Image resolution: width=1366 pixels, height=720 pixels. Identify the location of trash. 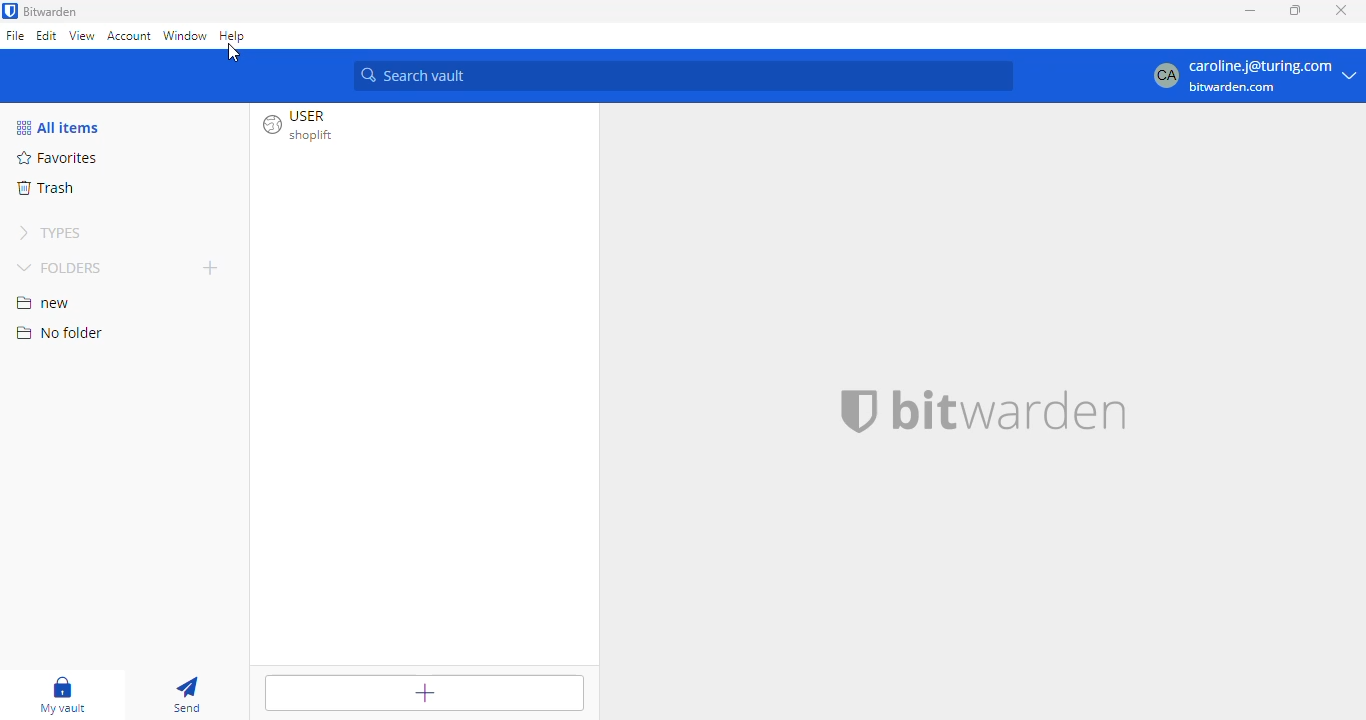
(46, 187).